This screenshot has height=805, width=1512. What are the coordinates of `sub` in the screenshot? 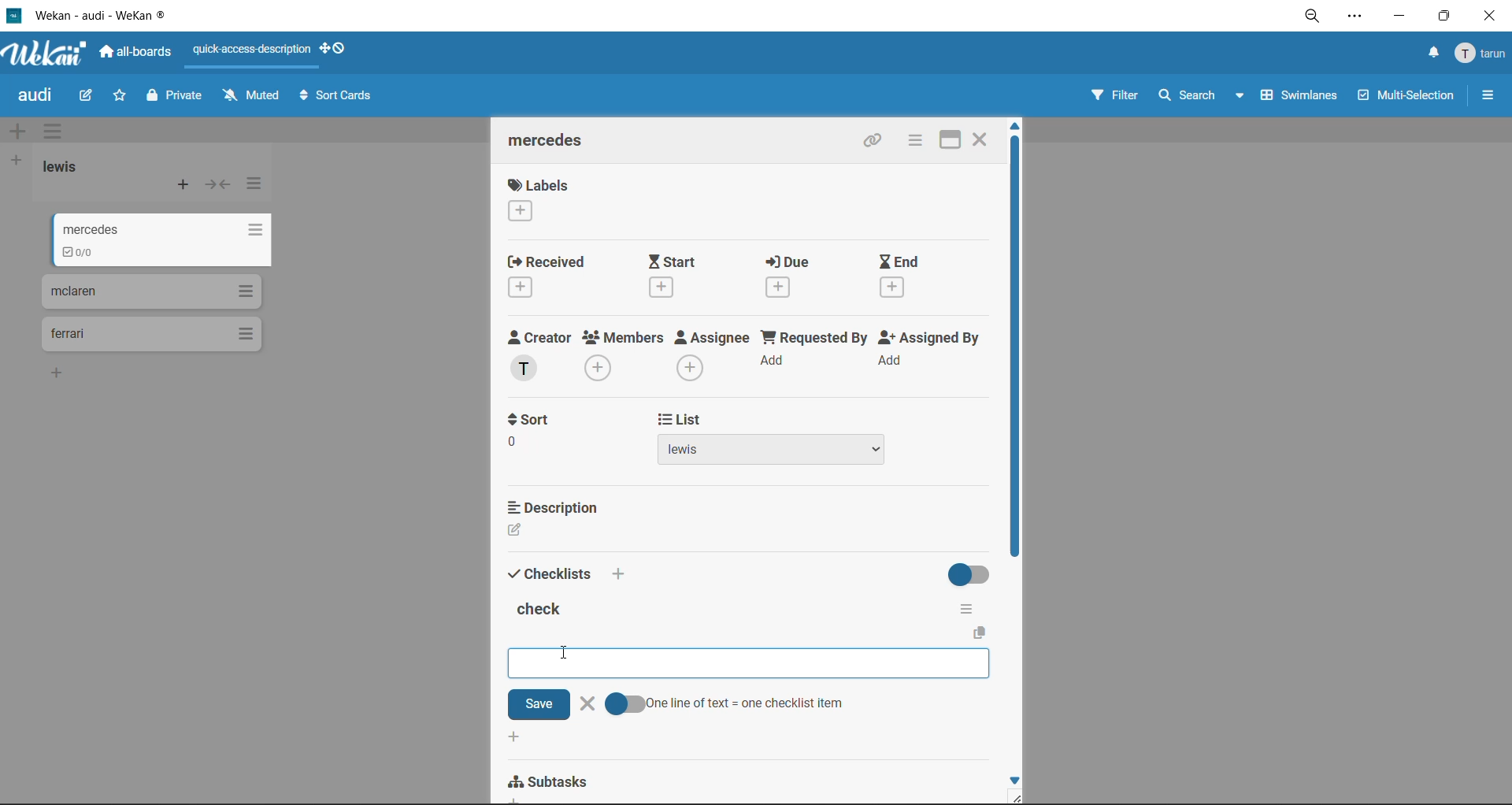 It's located at (552, 782).